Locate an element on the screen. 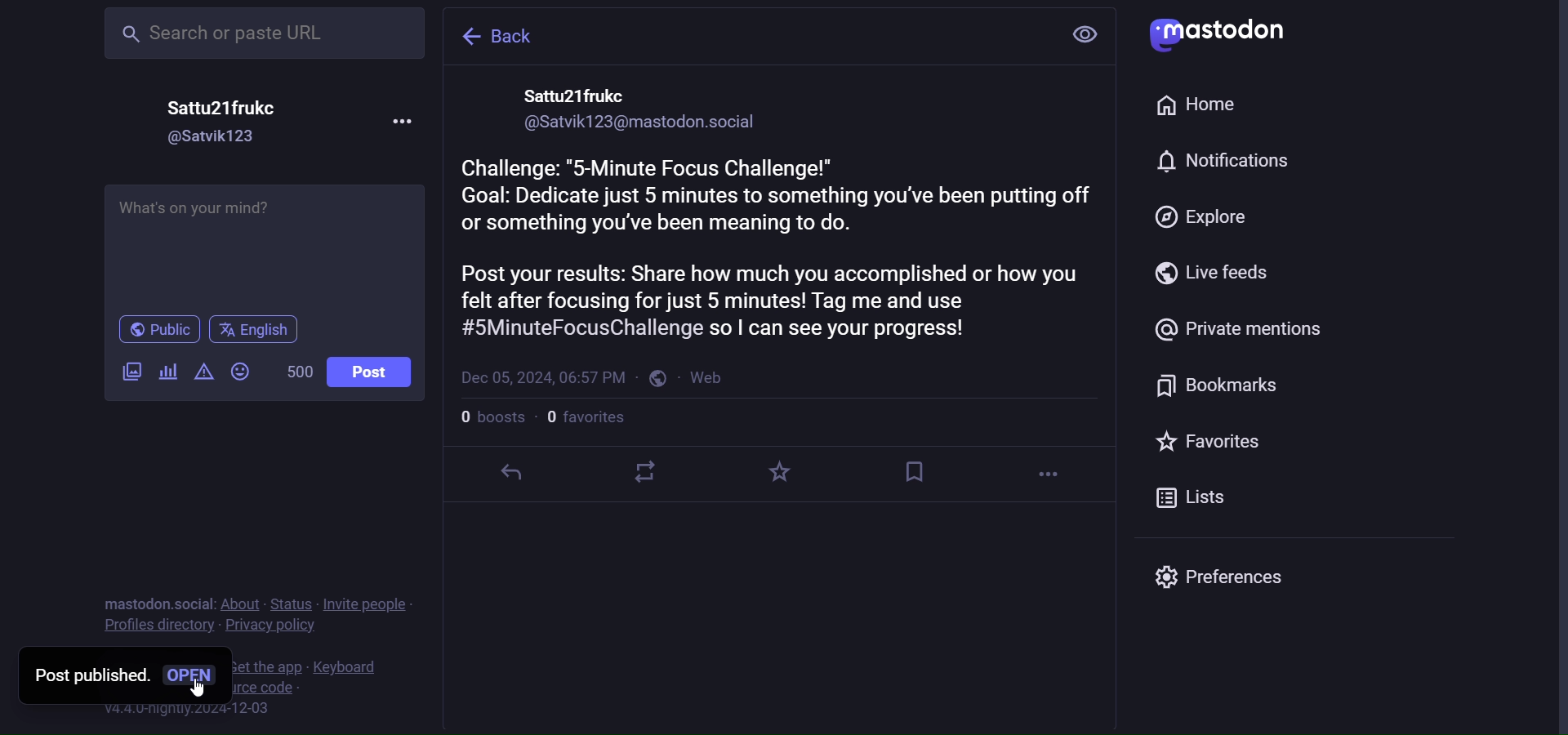  word limit is located at coordinates (300, 374).